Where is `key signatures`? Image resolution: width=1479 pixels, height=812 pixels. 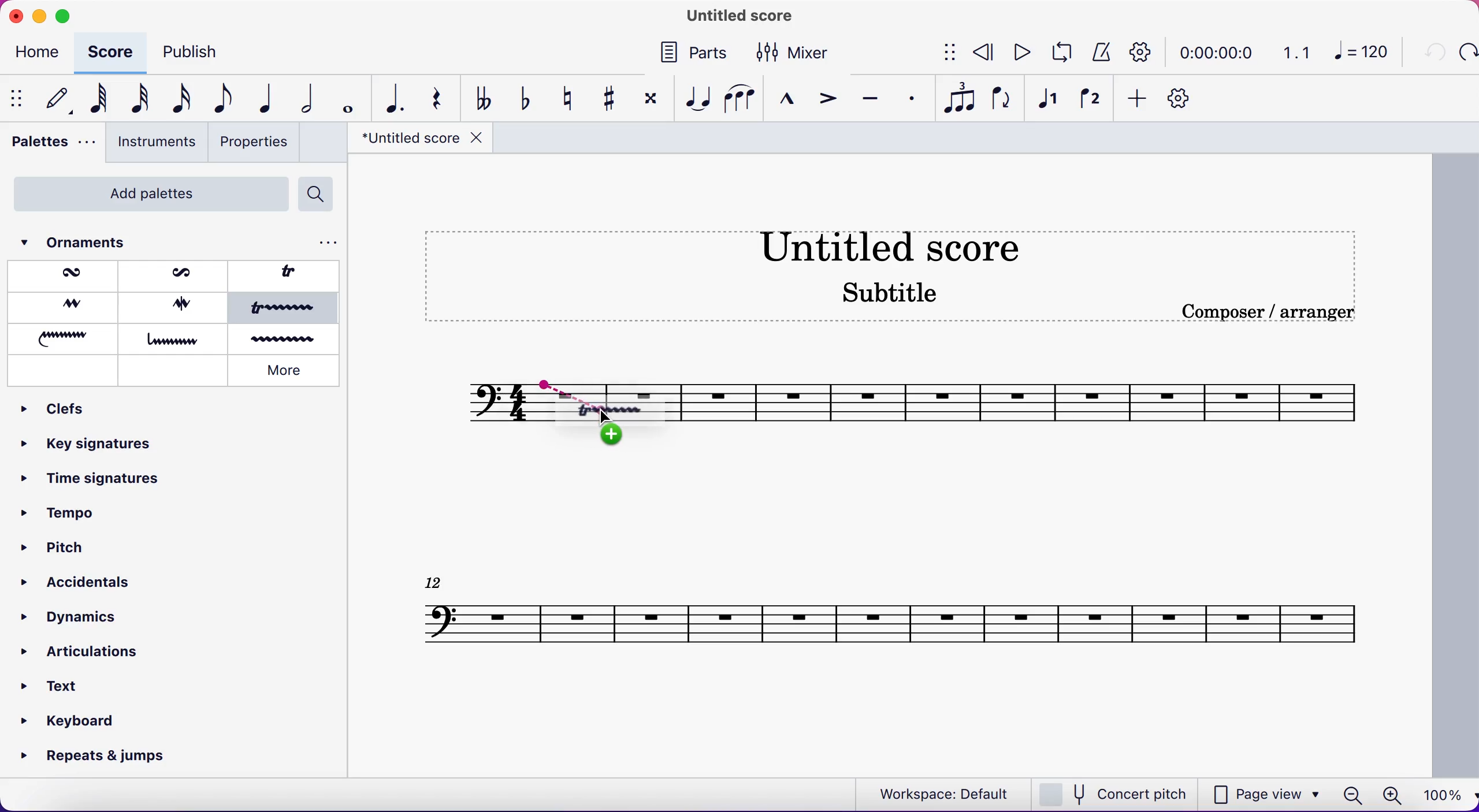 key signatures is located at coordinates (88, 449).